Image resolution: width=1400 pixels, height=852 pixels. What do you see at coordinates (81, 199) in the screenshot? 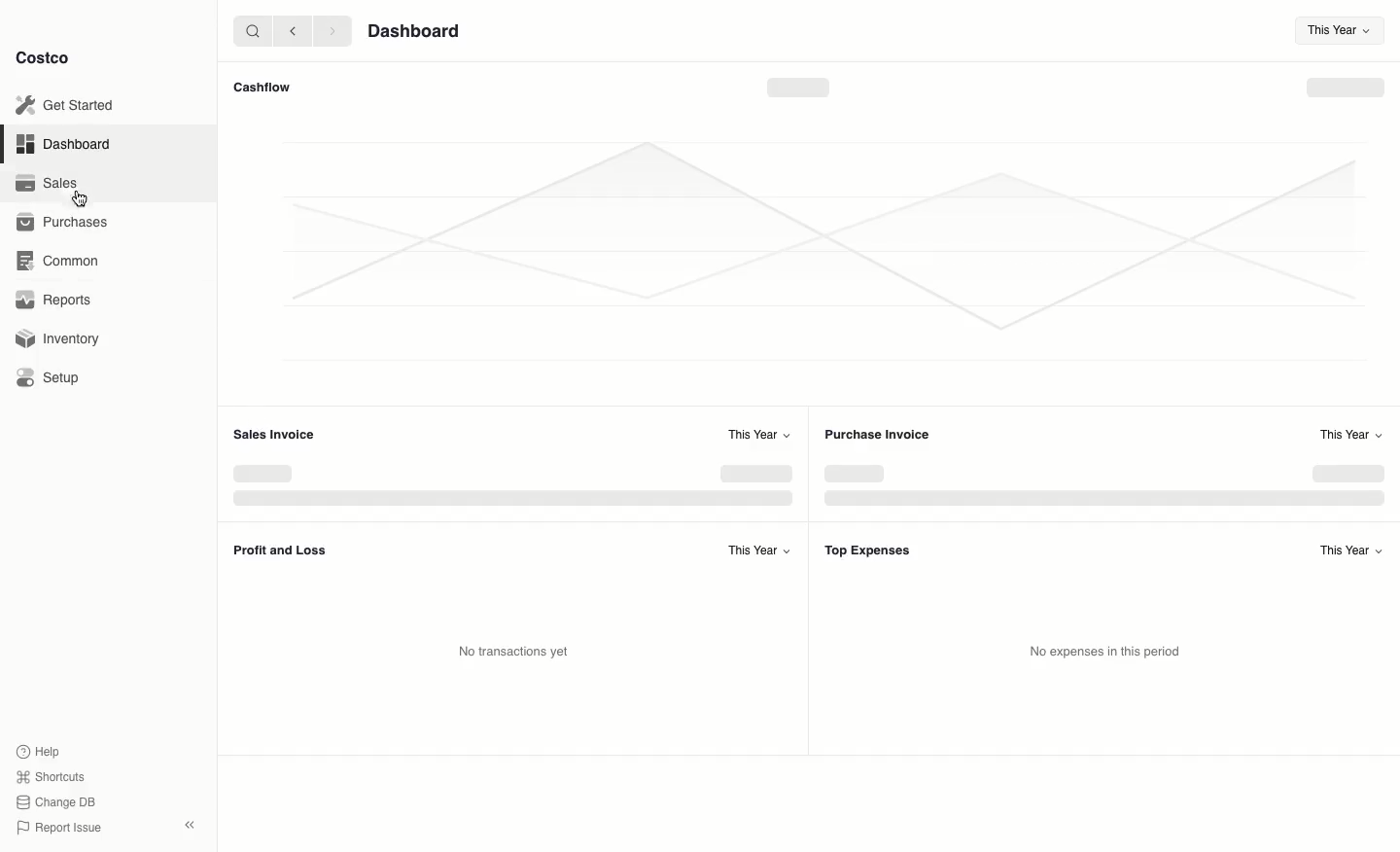
I see `cursor` at bounding box center [81, 199].